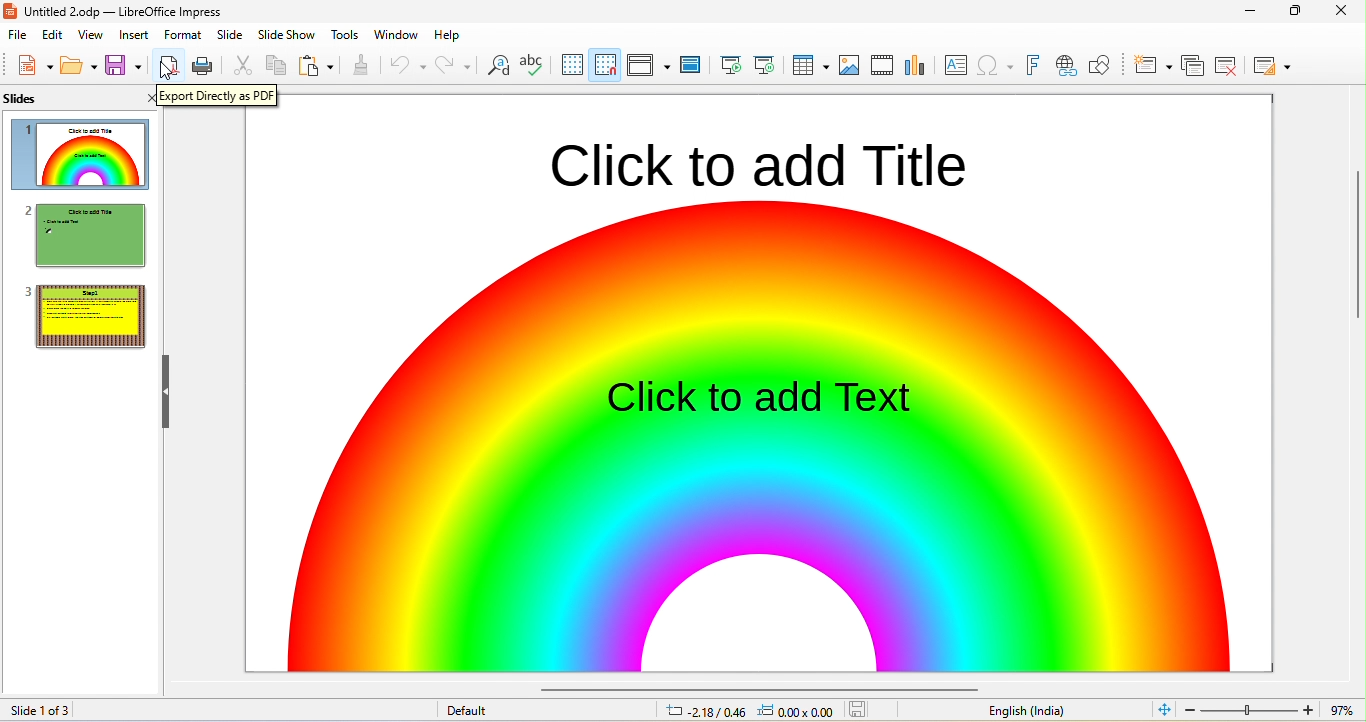 Image resolution: width=1366 pixels, height=722 pixels. Describe the element at coordinates (128, 11) in the screenshot. I see `title` at that location.